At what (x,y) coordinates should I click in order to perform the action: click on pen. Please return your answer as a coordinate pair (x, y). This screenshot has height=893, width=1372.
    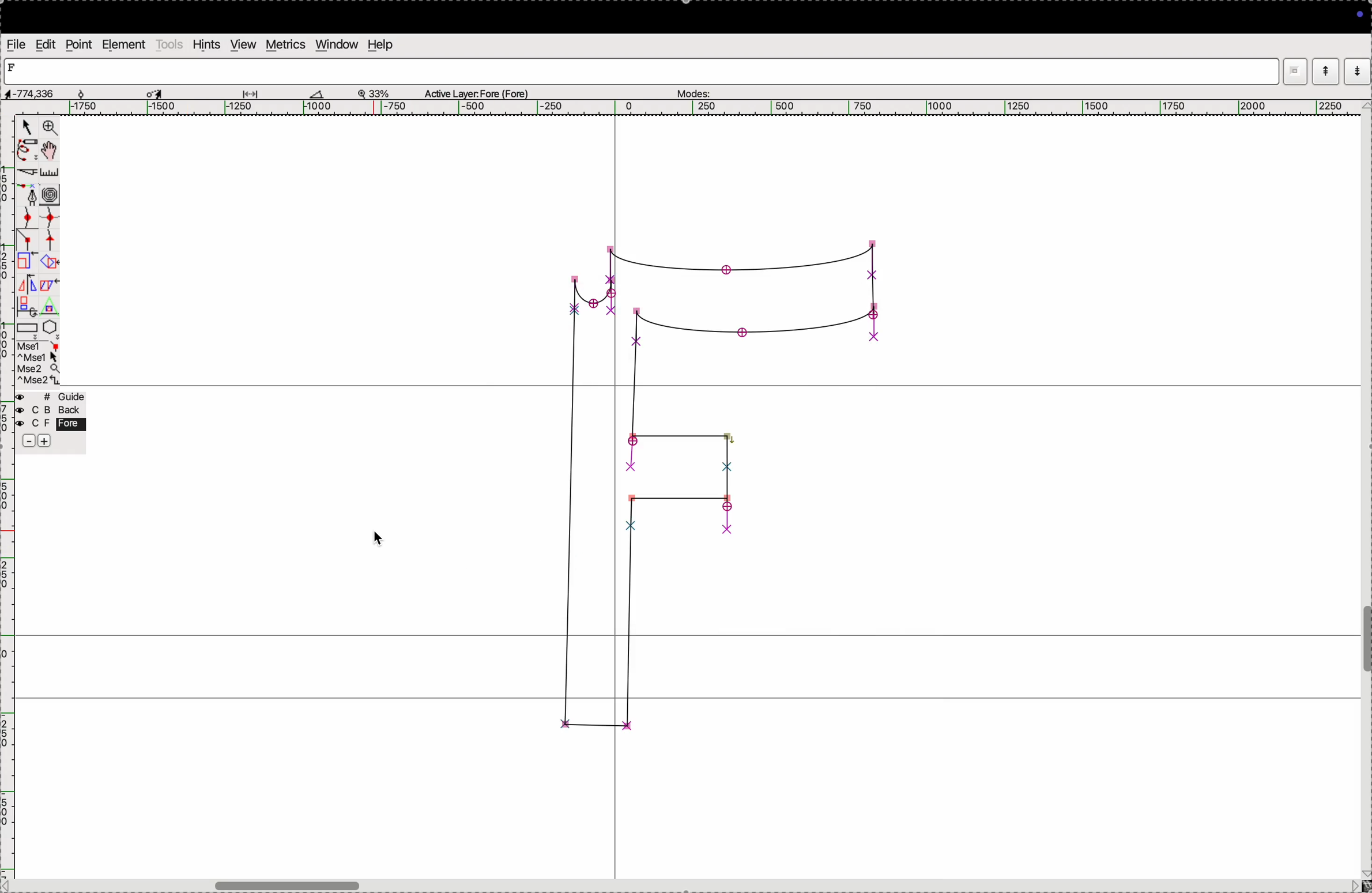
    Looking at the image, I should click on (25, 152).